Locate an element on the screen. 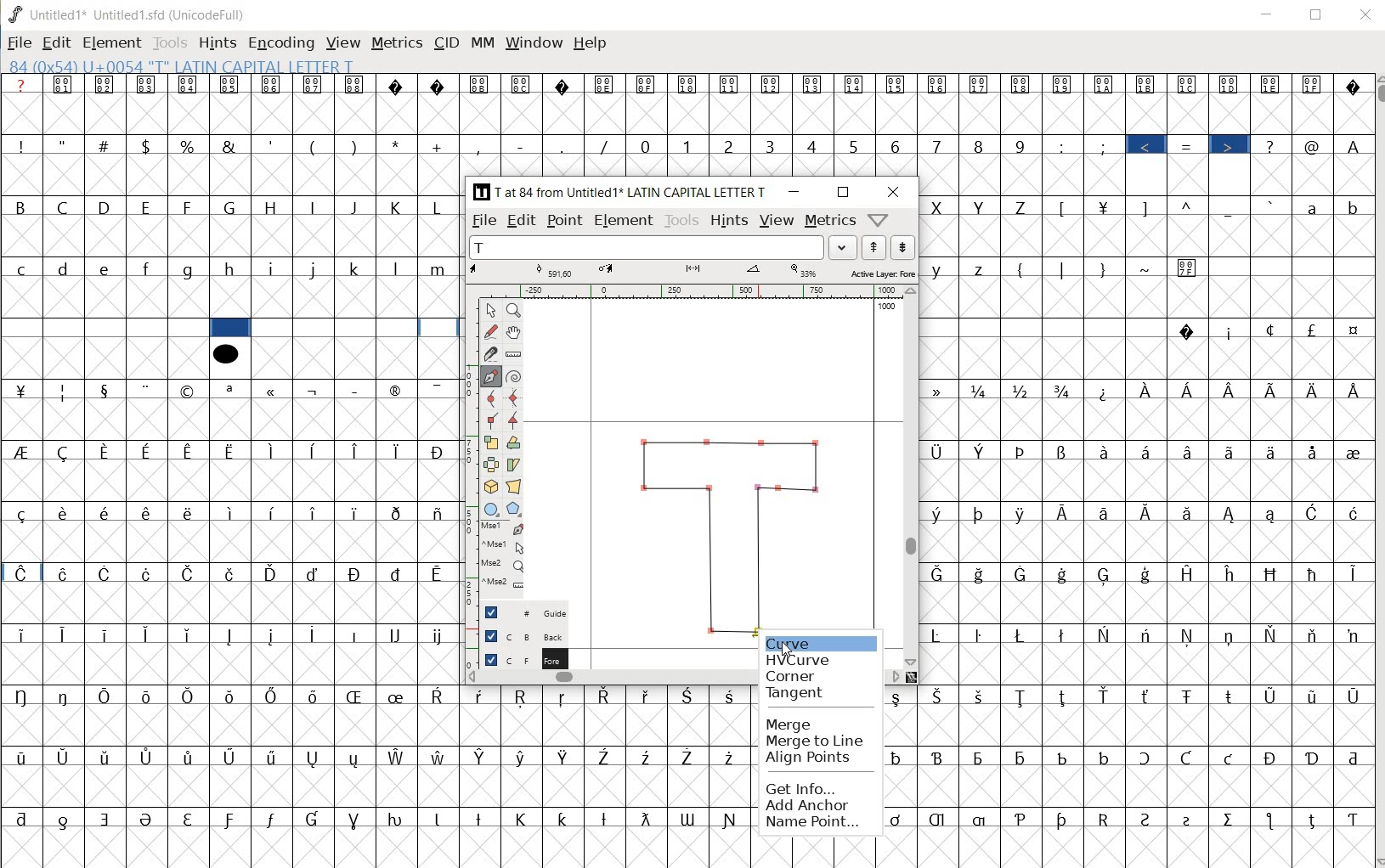 Image resolution: width=1385 pixels, height=868 pixels. Symbol is located at coordinates (941, 454).